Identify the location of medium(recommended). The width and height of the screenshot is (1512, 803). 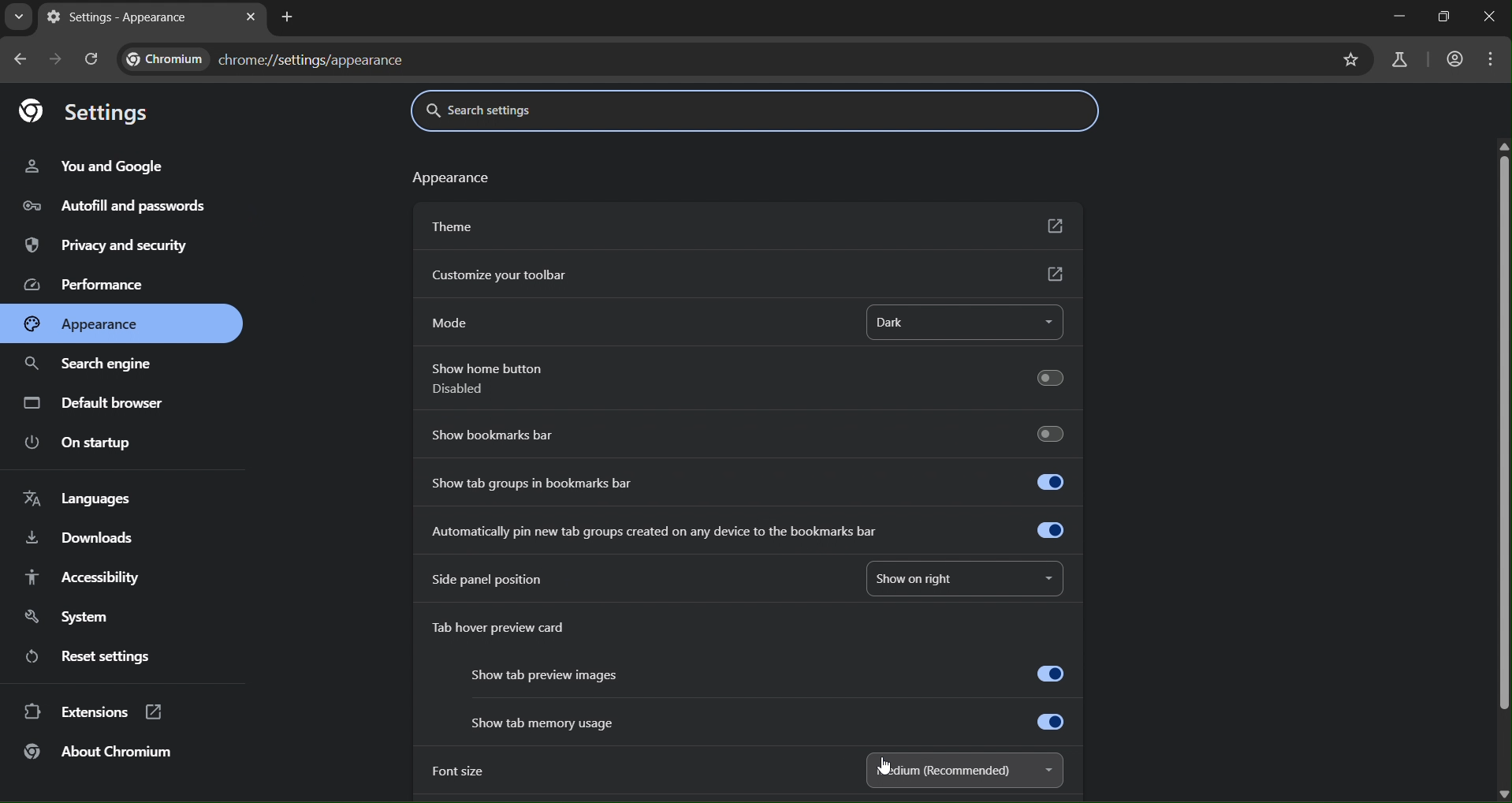
(949, 771).